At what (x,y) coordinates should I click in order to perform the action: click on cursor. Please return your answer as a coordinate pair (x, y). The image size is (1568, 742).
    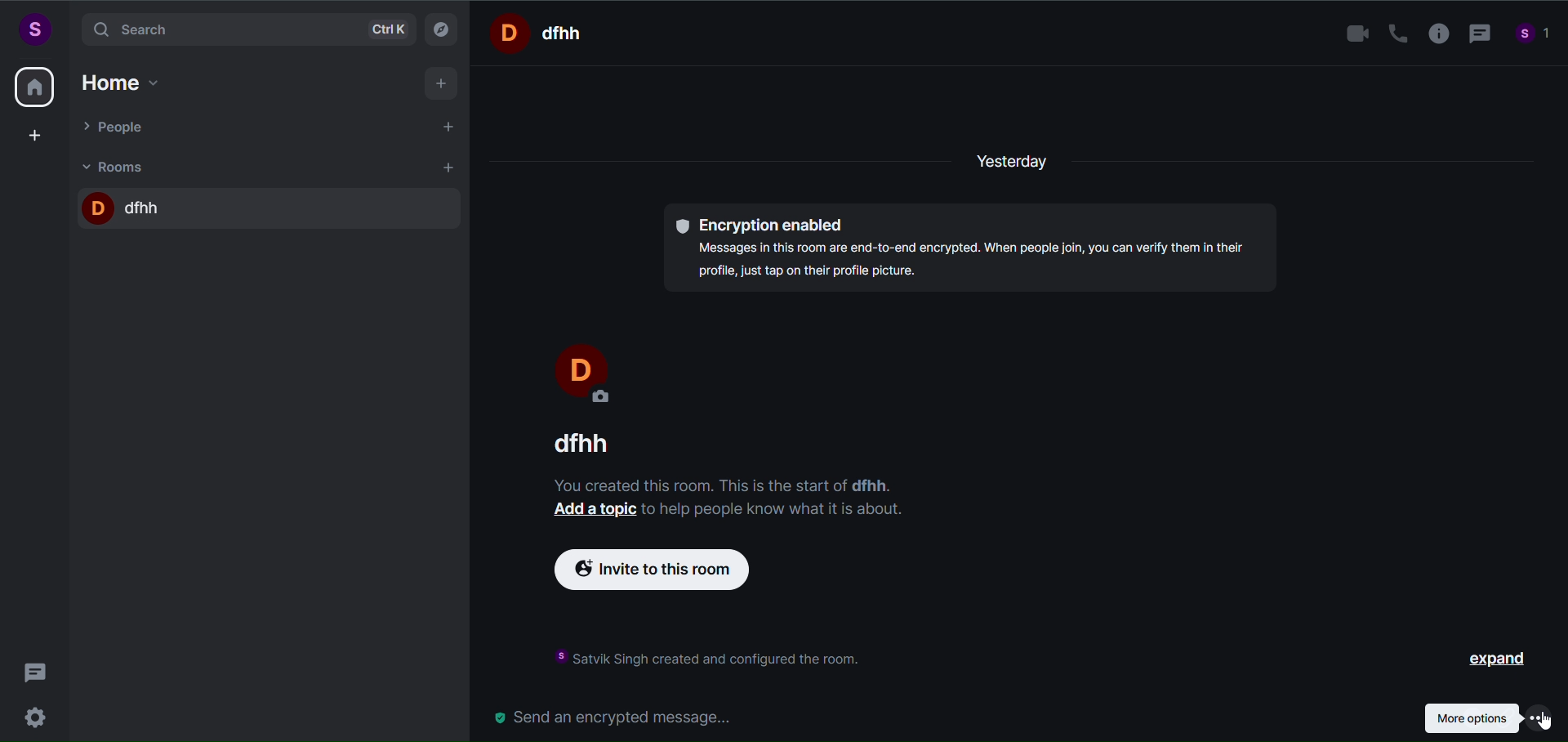
    Looking at the image, I should click on (1540, 725).